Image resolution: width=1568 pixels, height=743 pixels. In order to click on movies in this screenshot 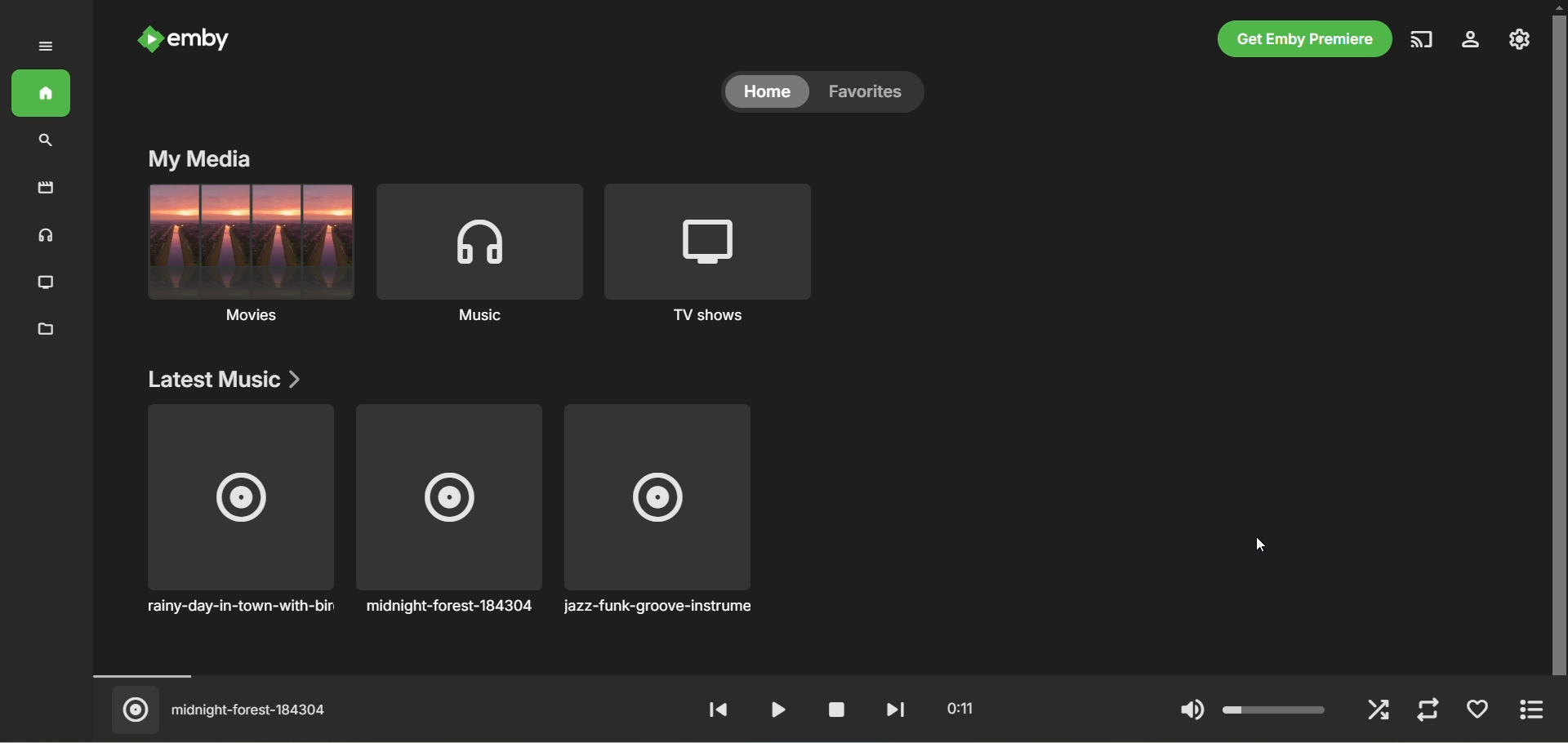, I will do `click(46, 190)`.